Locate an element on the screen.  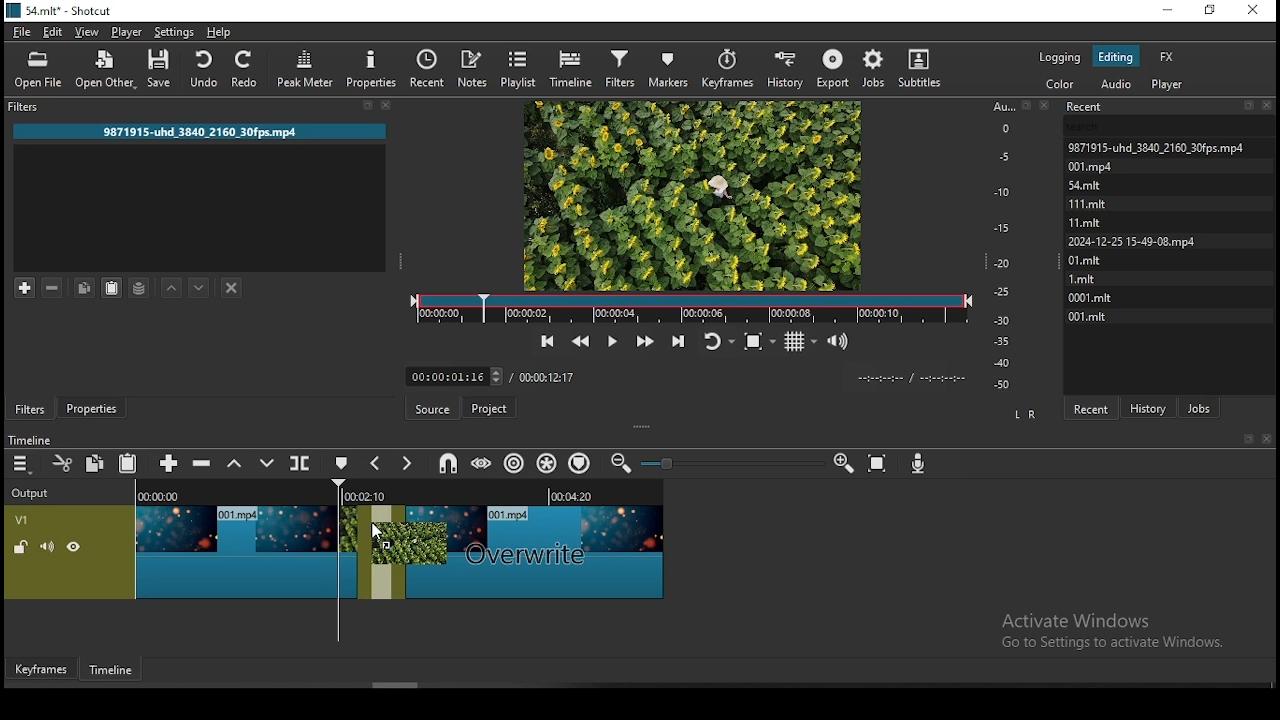
move filter down is located at coordinates (199, 286).